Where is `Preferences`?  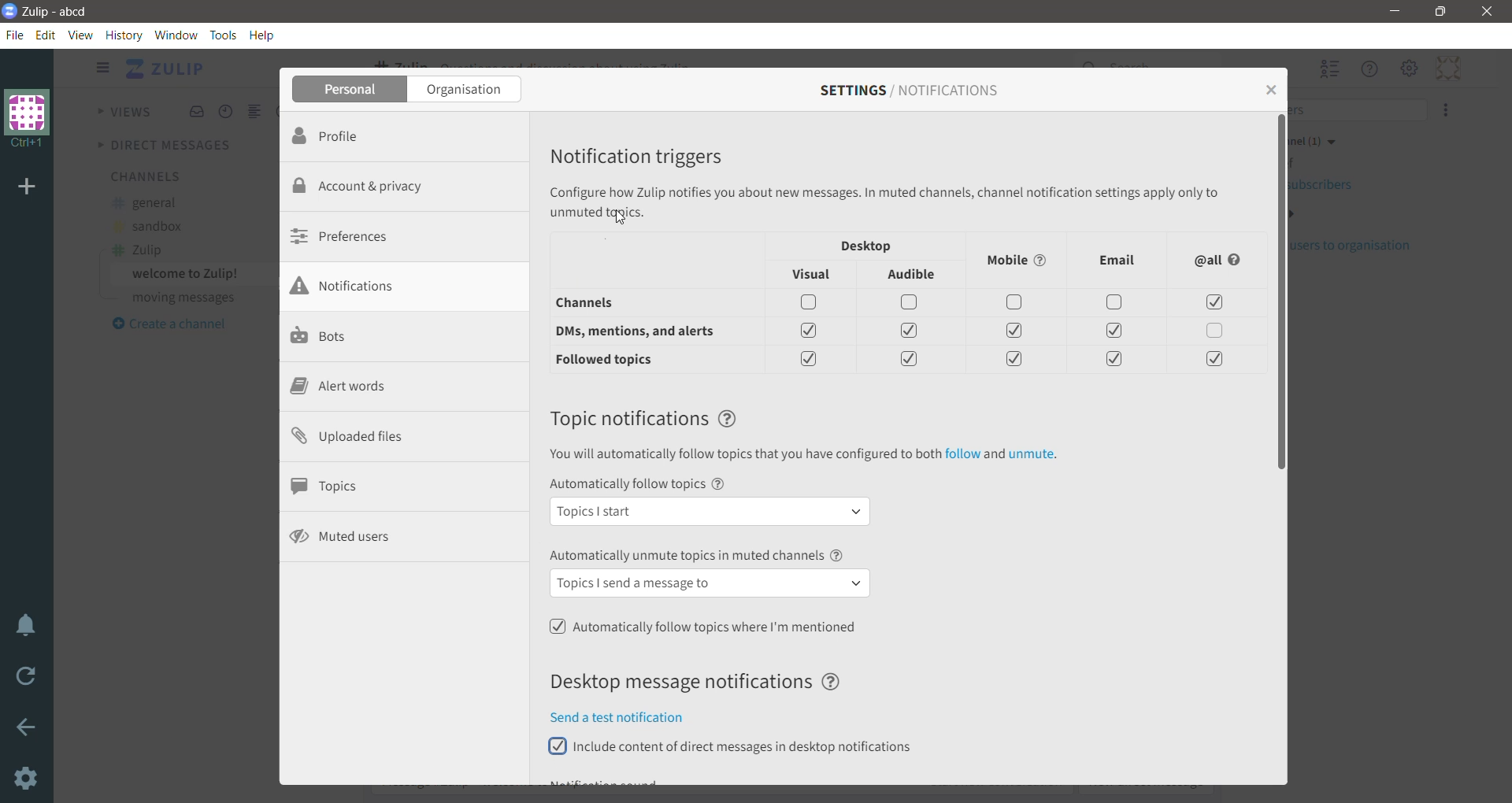
Preferences is located at coordinates (347, 235).